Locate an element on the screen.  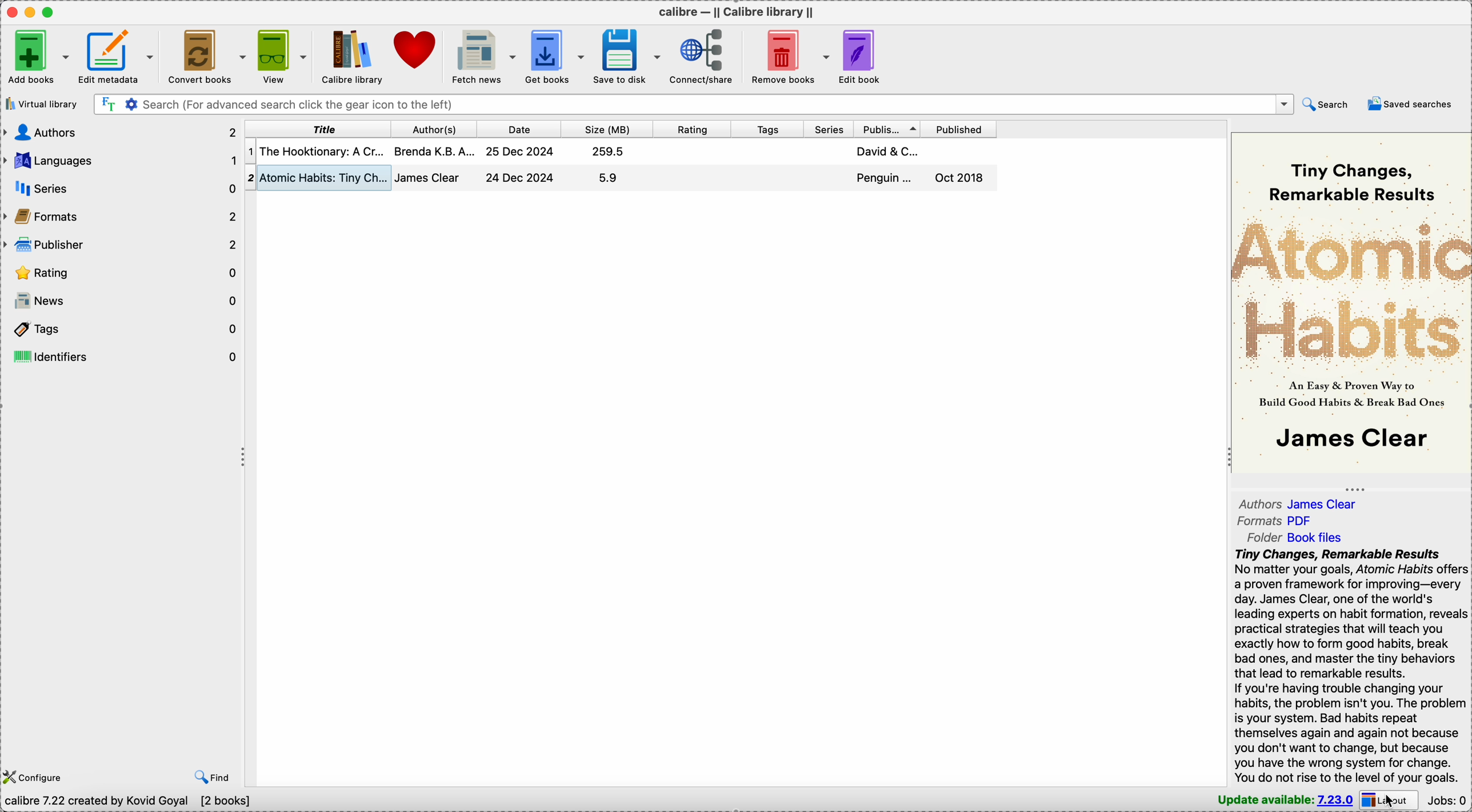
tags is located at coordinates (122, 329).